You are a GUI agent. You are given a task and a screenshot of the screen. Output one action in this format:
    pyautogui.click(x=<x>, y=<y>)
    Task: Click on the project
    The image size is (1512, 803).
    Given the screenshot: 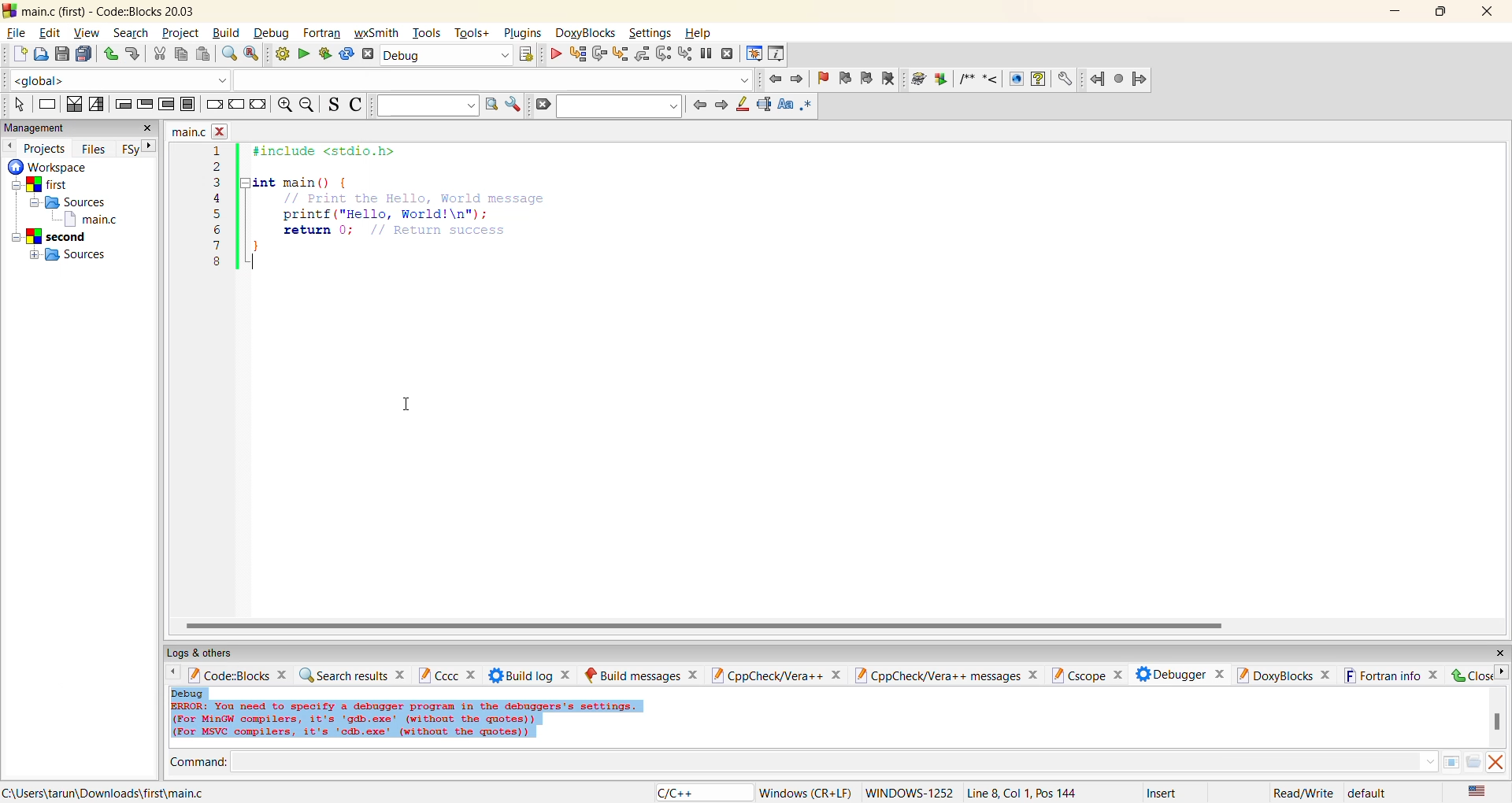 What is the action you would take?
    pyautogui.click(x=180, y=33)
    